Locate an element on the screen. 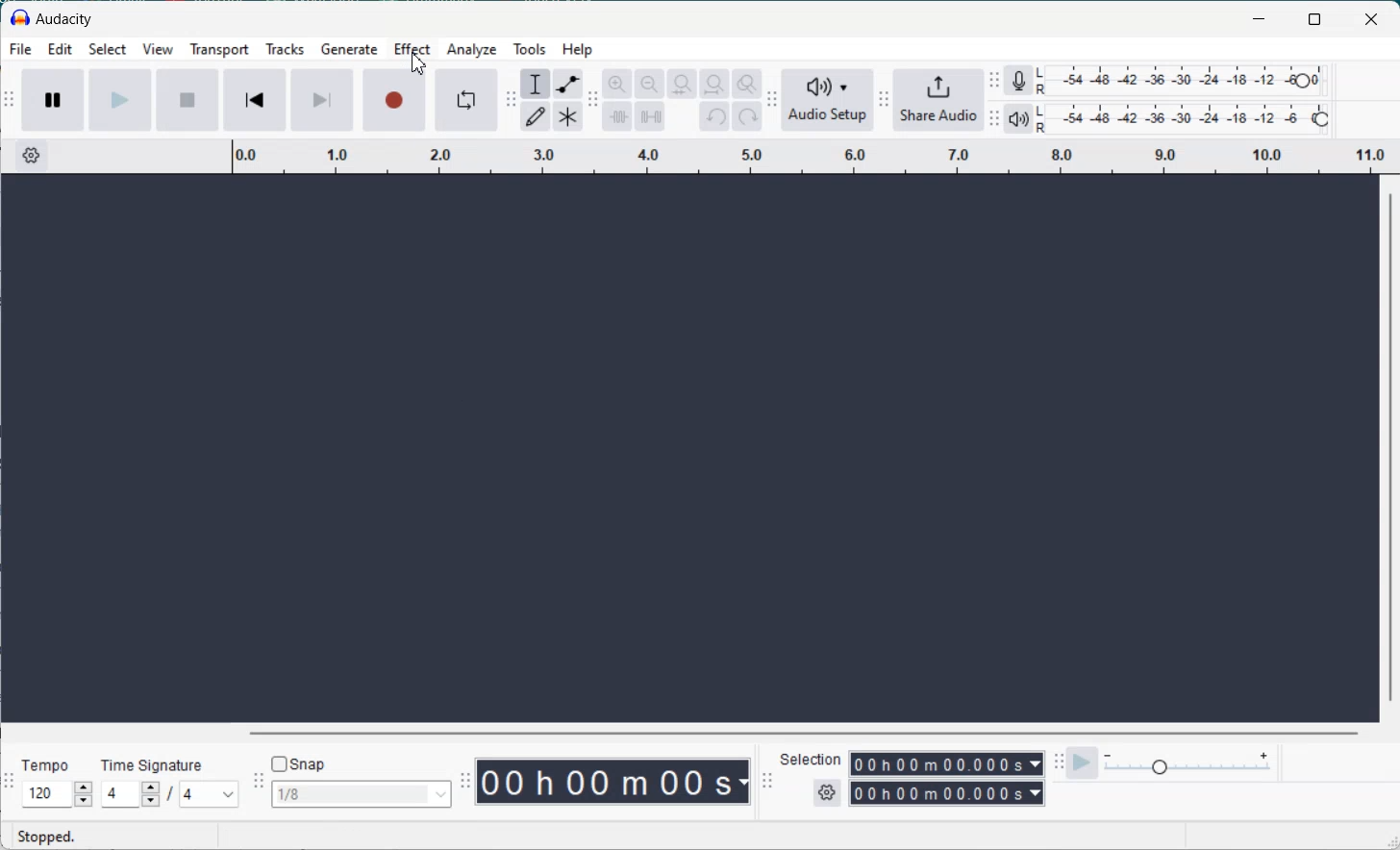 Image resolution: width=1400 pixels, height=850 pixels. Recording level 86% is located at coordinates (1184, 81).